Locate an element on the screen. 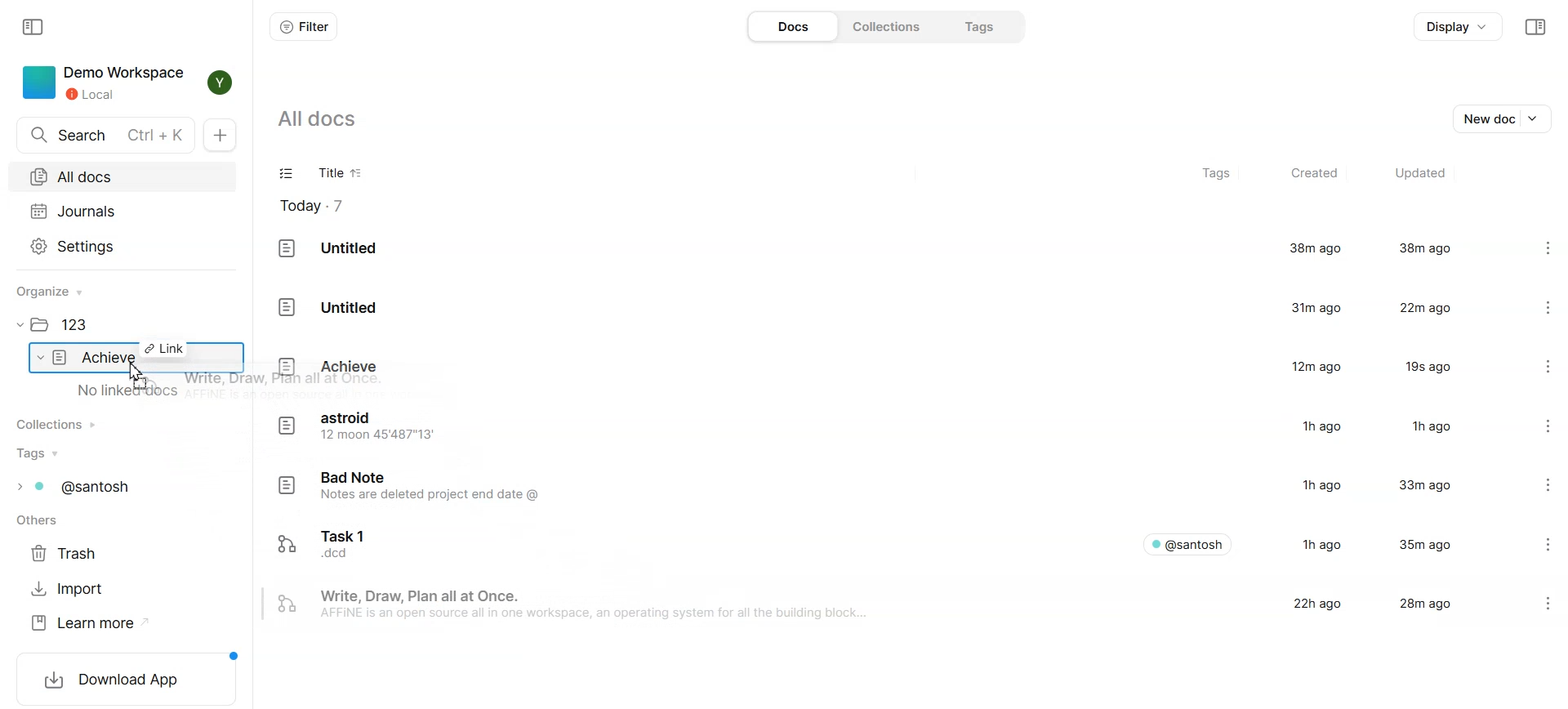 The width and height of the screenshot is (1568, 709). Doc File is located at coordinates (878, 542).